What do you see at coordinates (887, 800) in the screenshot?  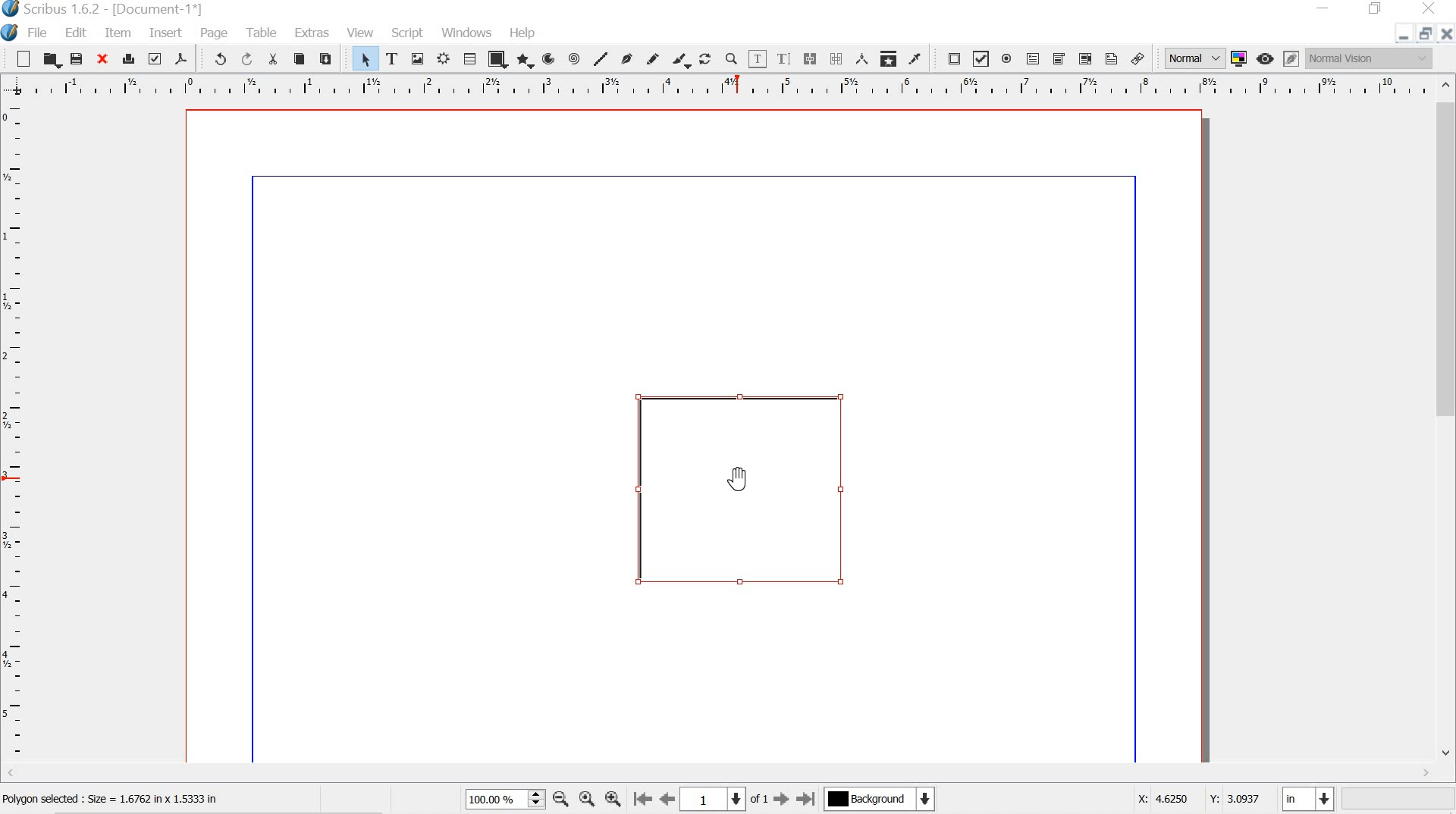 I see `background` at bounding box center [887, 800].